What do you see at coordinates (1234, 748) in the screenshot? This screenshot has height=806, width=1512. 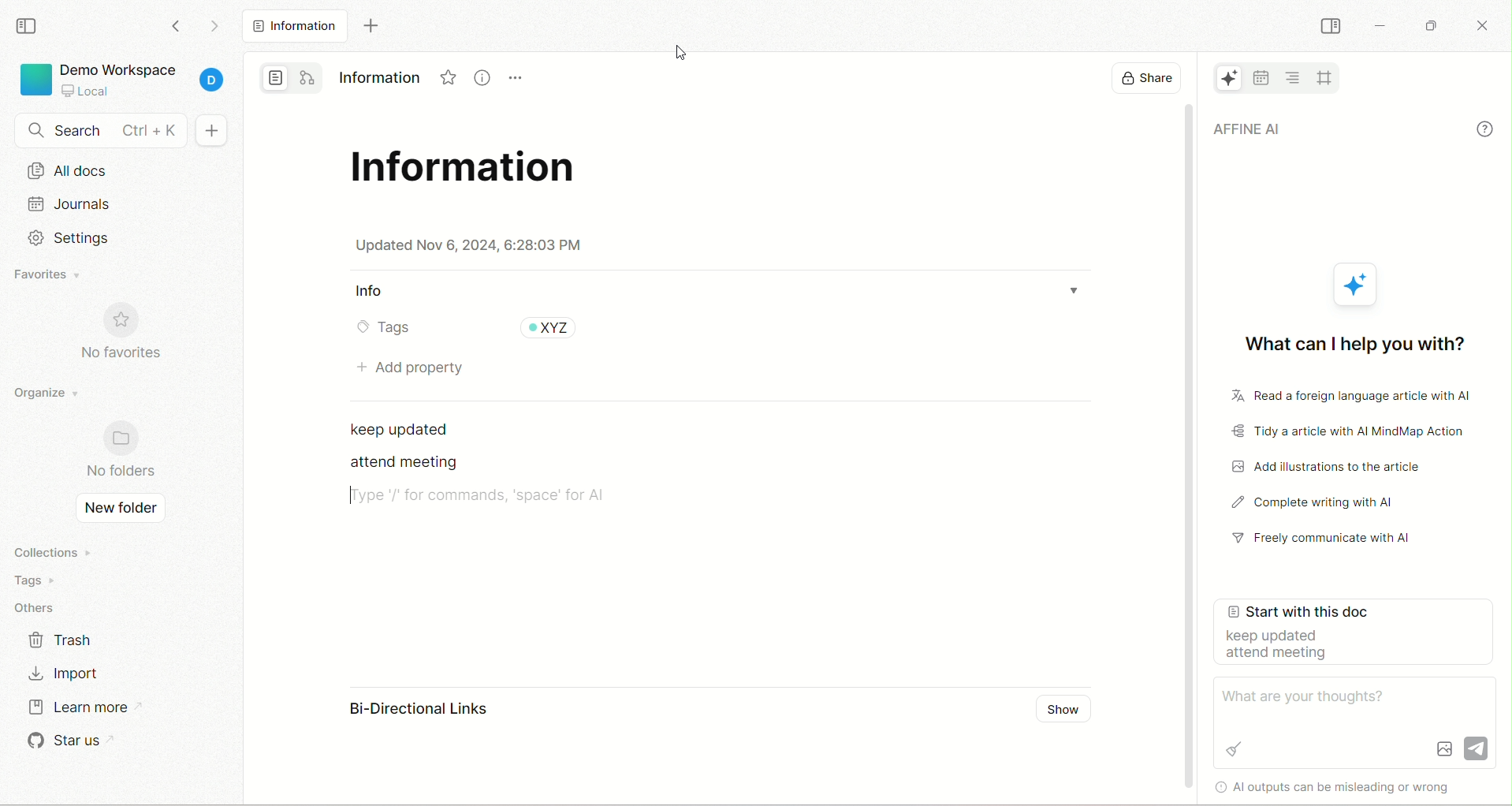 I see `Brush` at bounding box center [1234, 748].